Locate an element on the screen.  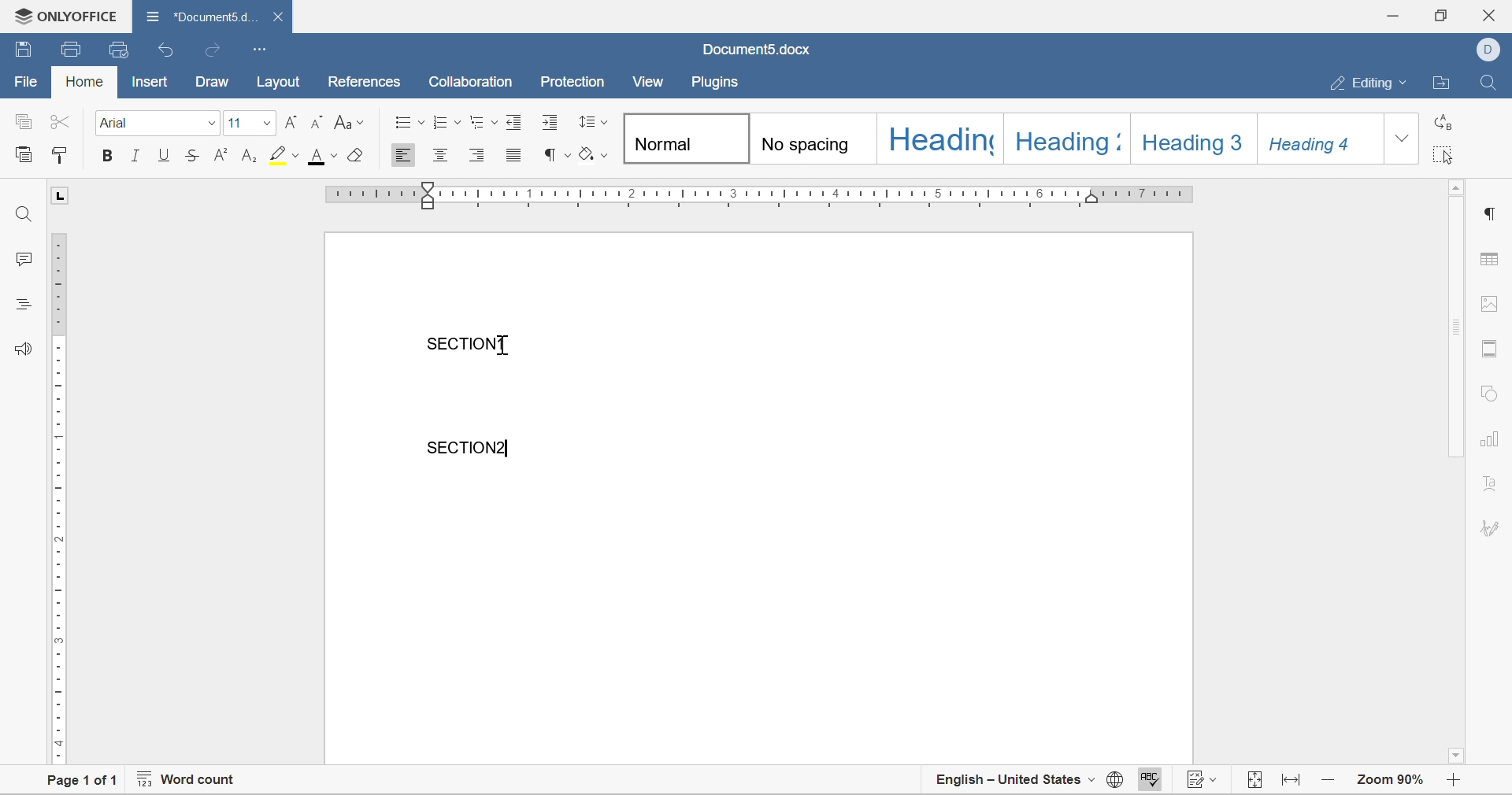
headings is located at coordinates (21, 302).